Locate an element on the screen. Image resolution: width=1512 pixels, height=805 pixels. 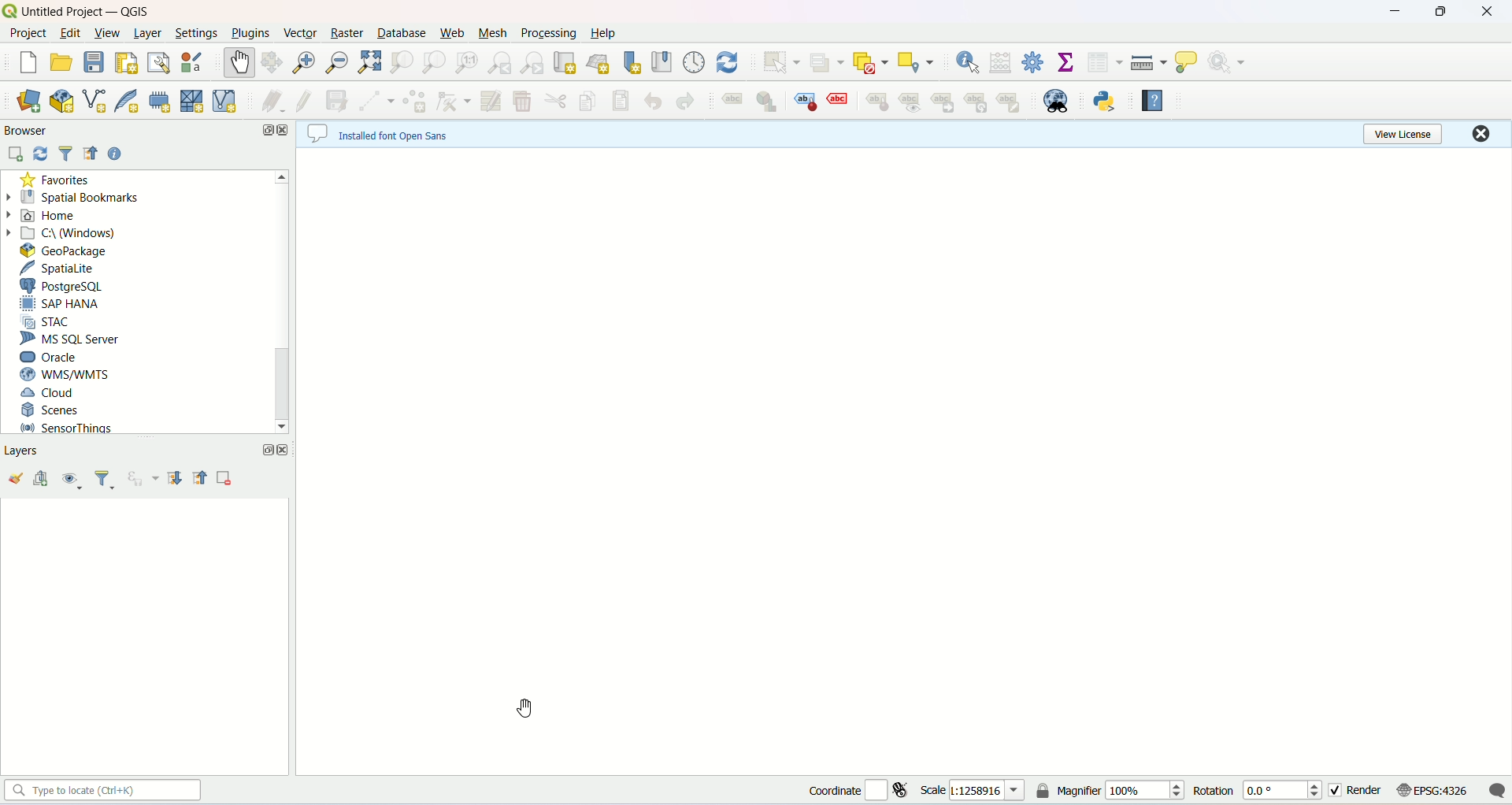
plugins is located at coordinates (251, 33).